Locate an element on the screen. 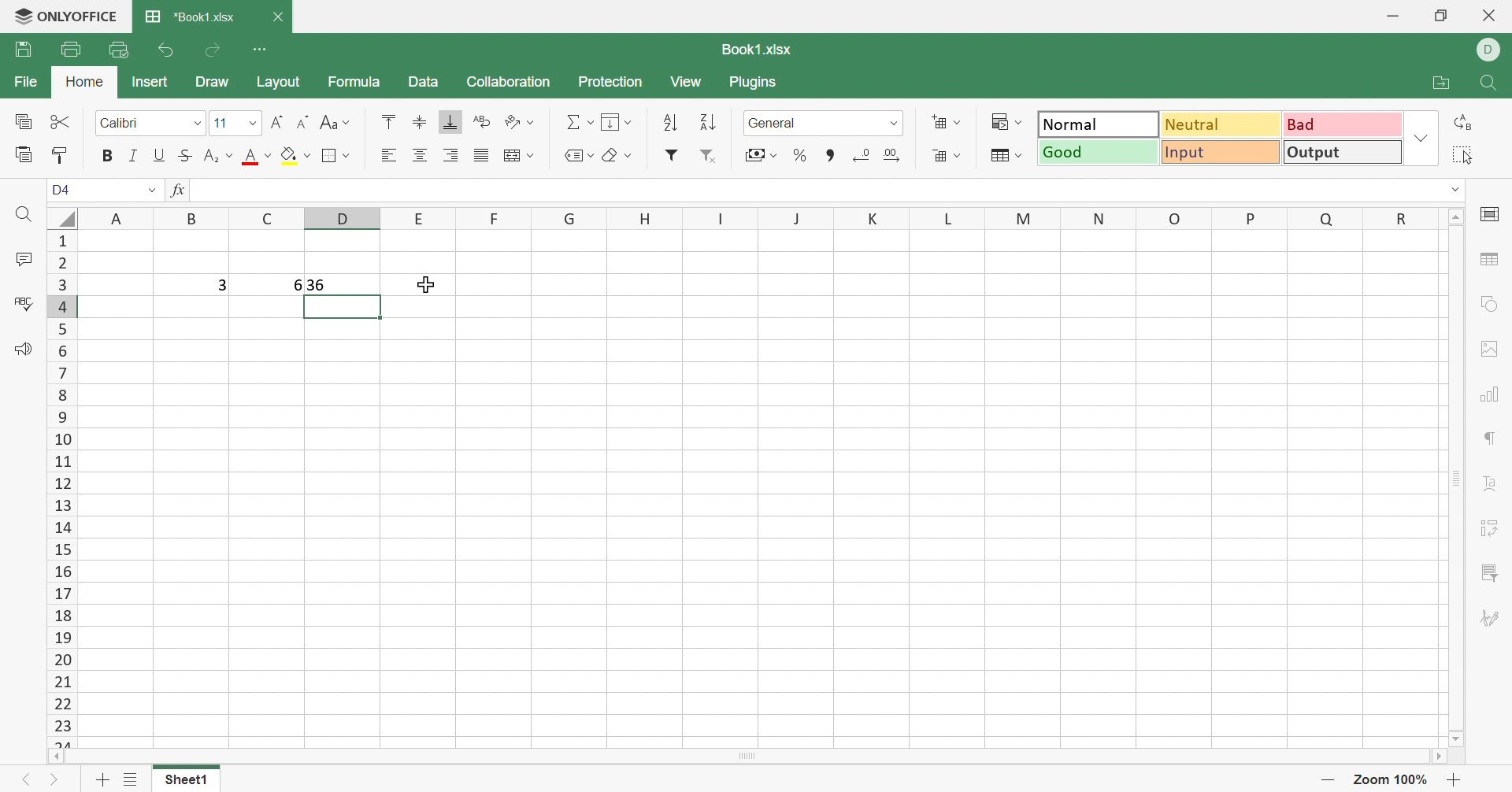 This screenshot has height=792, width=1512. Layout is located at coordinates (279, 81).